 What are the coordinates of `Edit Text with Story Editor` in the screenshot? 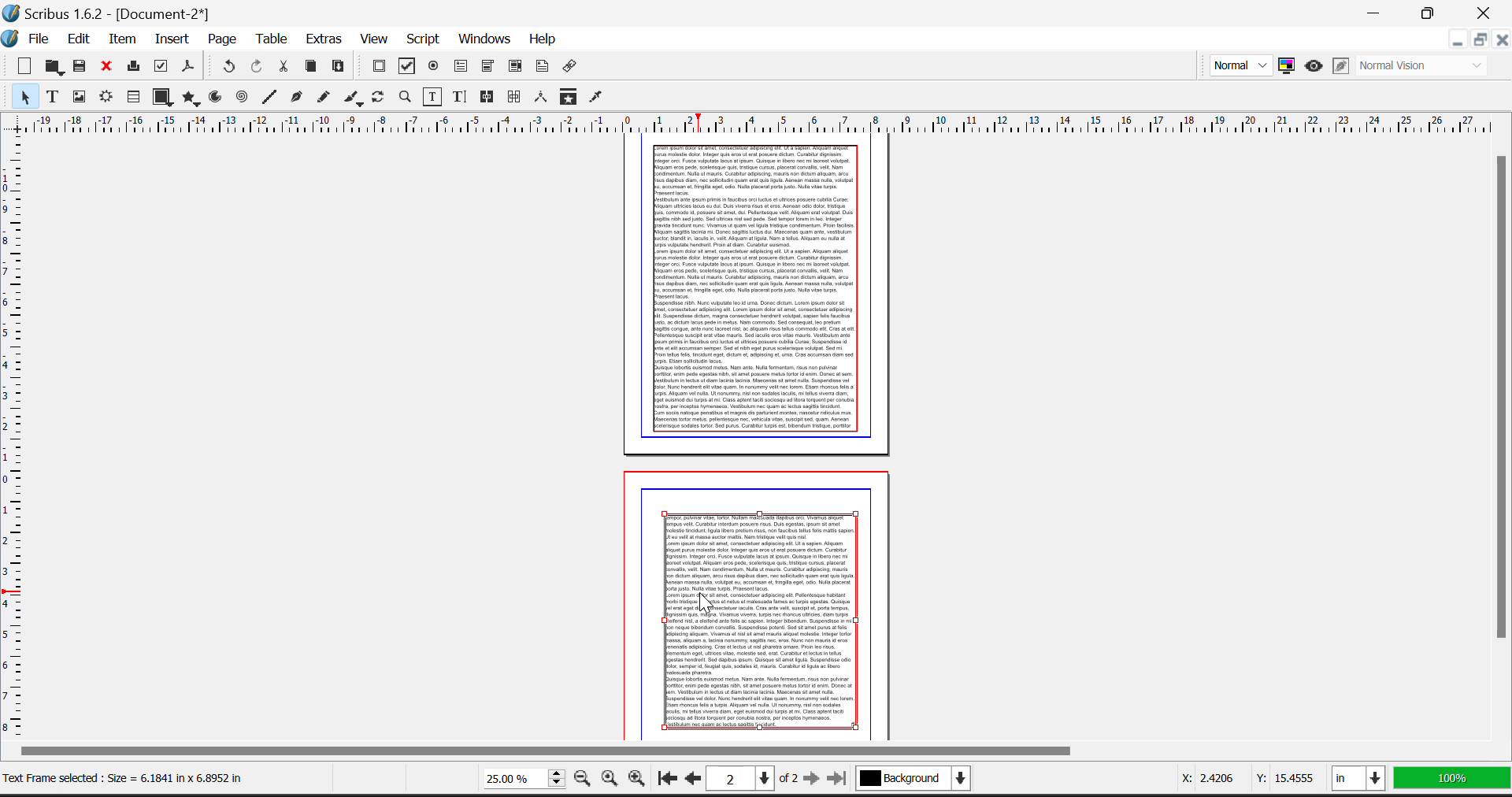 It's located at (458, 97).